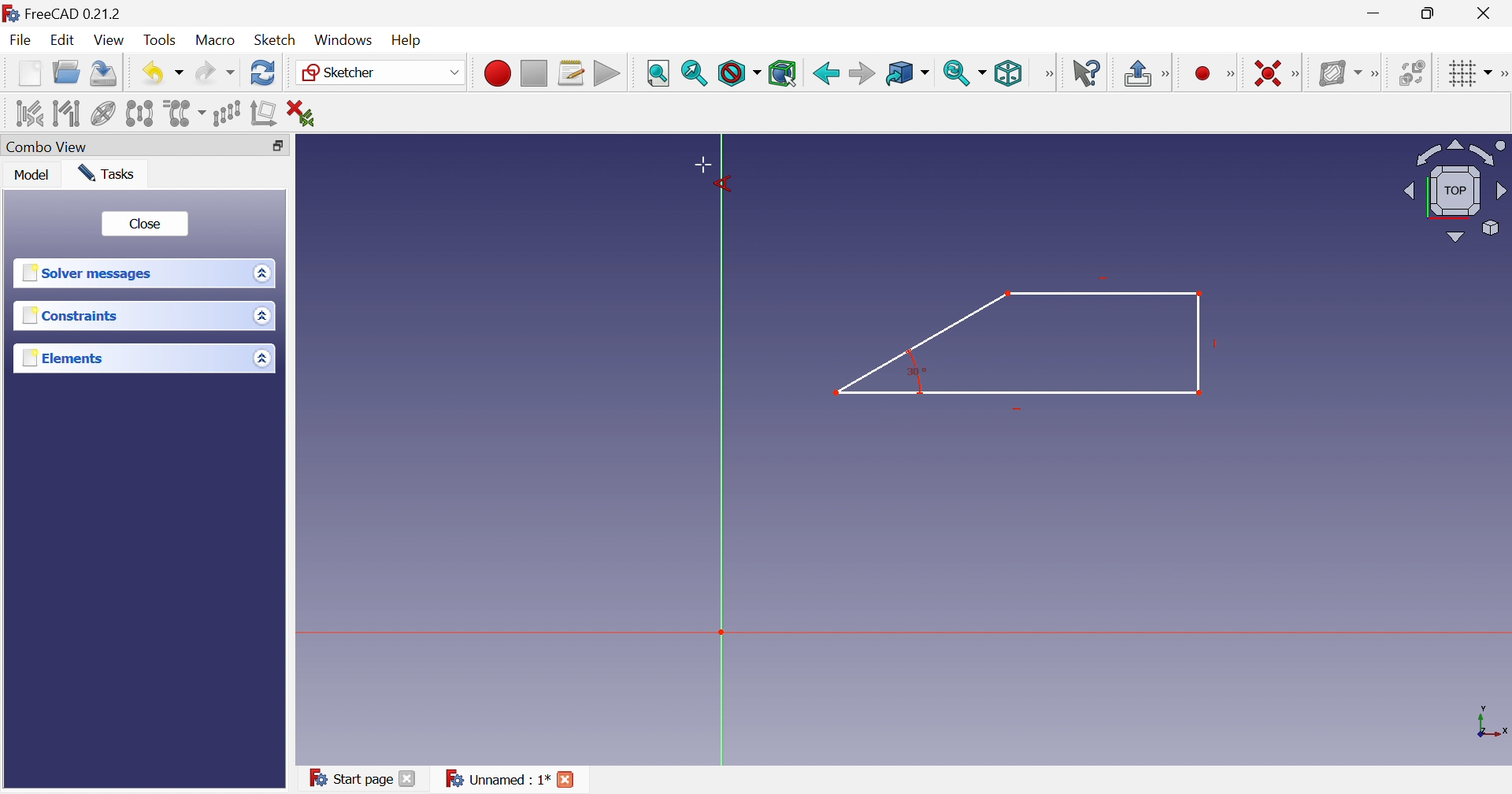  I want to click on Macro, so click(216, 41).